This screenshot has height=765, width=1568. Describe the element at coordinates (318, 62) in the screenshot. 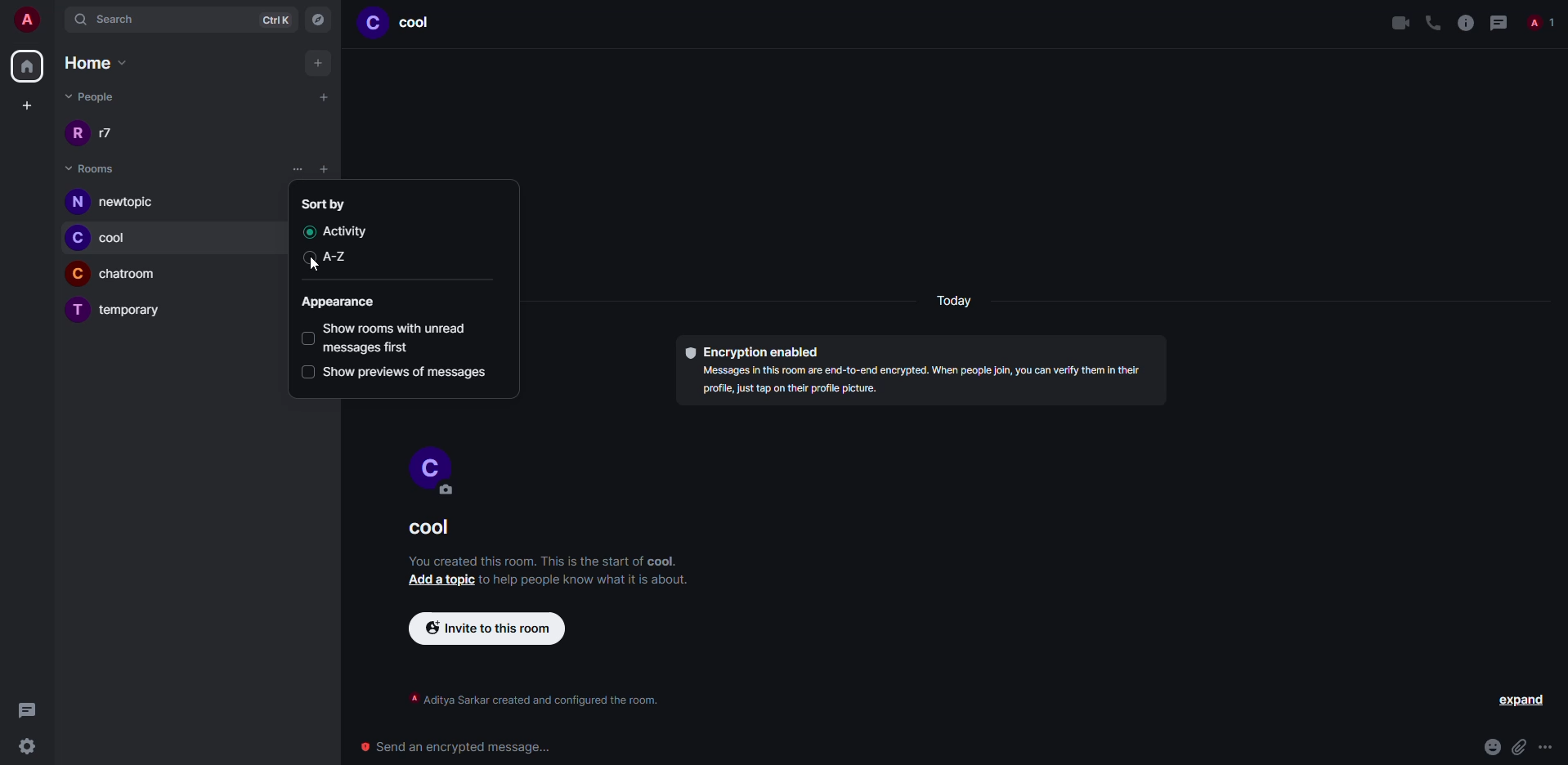

I see `add` at that location.